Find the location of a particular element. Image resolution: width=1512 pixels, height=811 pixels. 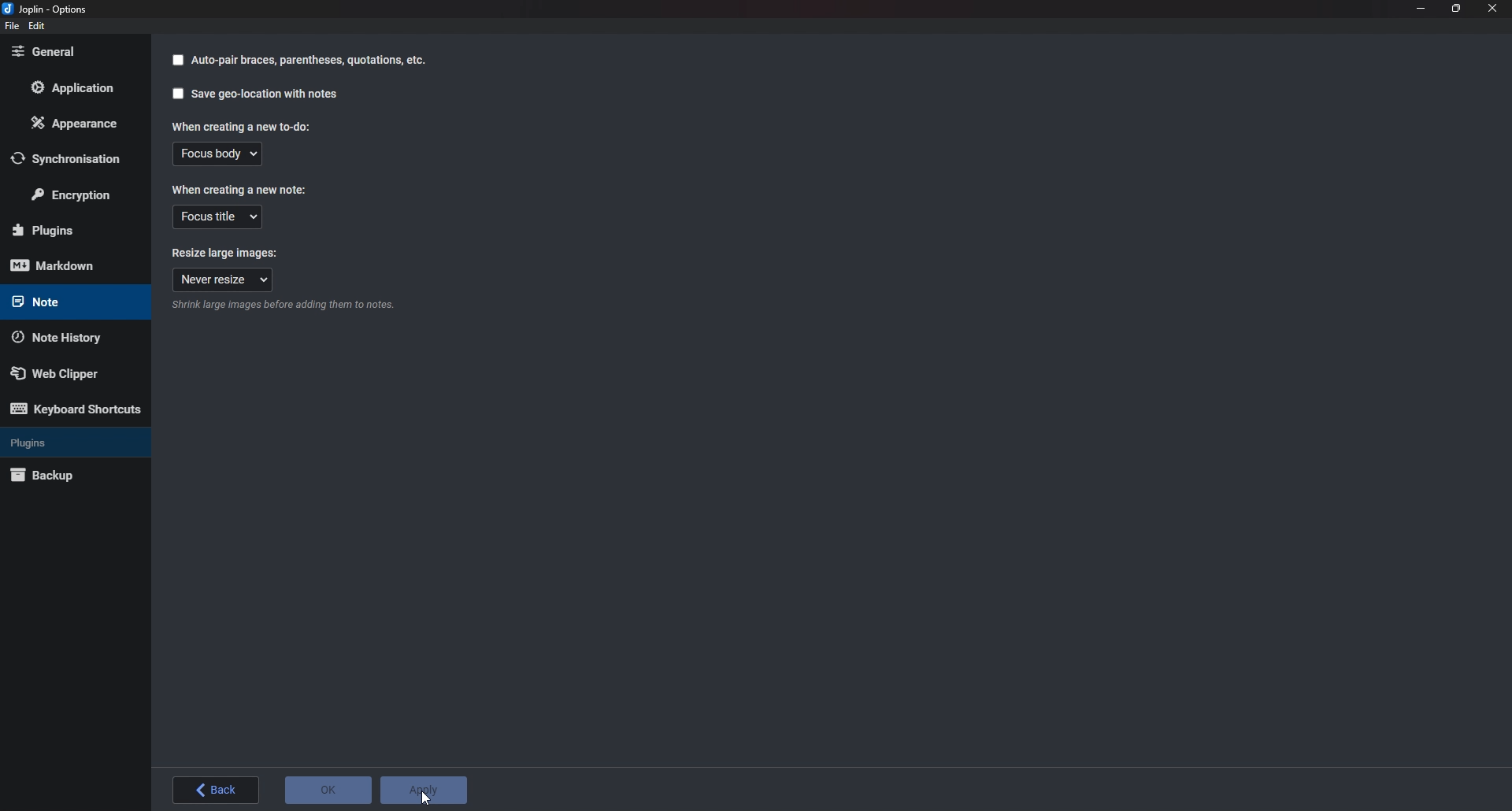

Joplin is located at coordinates (54, 10).